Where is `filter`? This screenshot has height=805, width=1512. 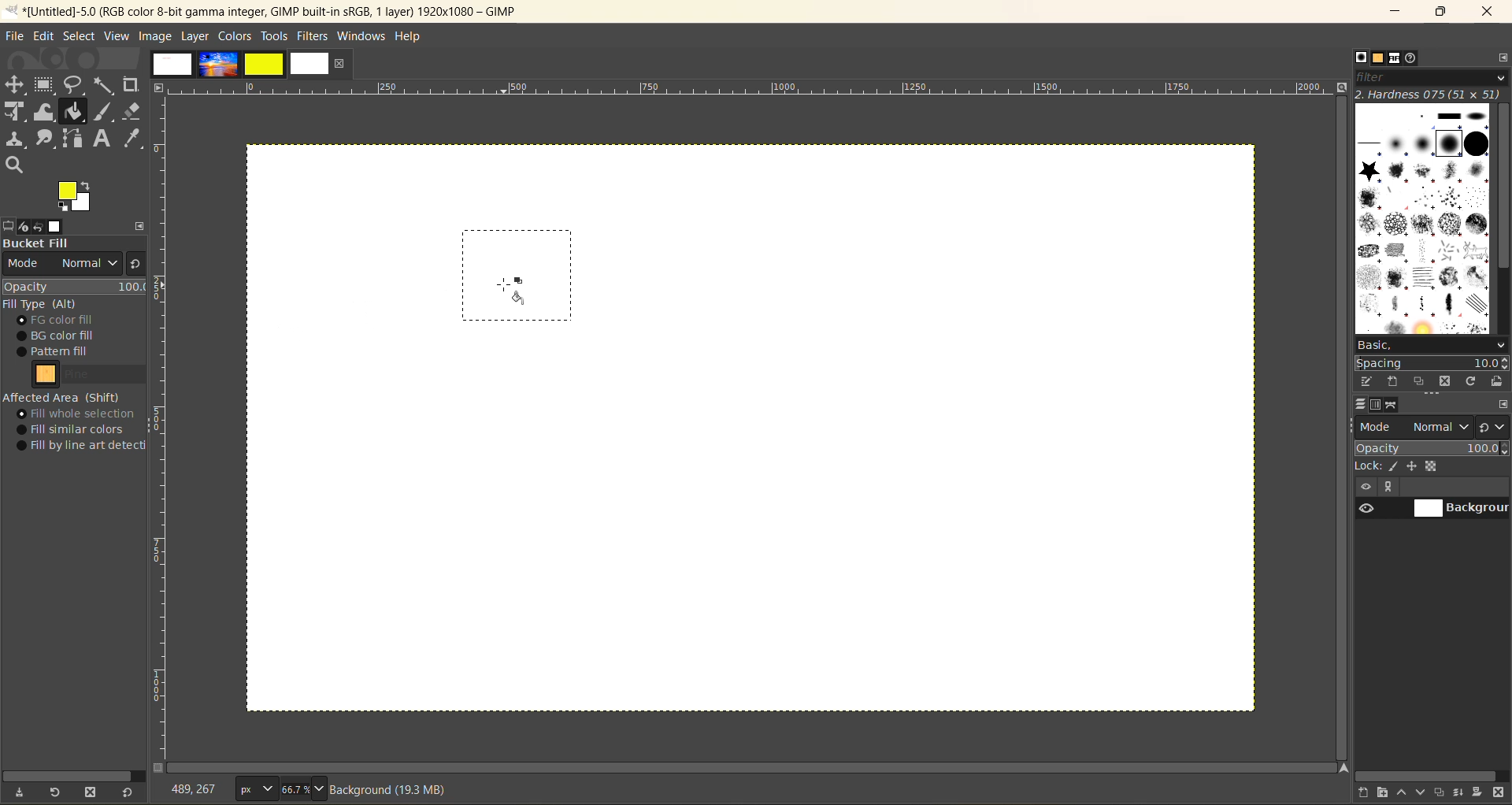 filter is located at coordinates (1432, 80).